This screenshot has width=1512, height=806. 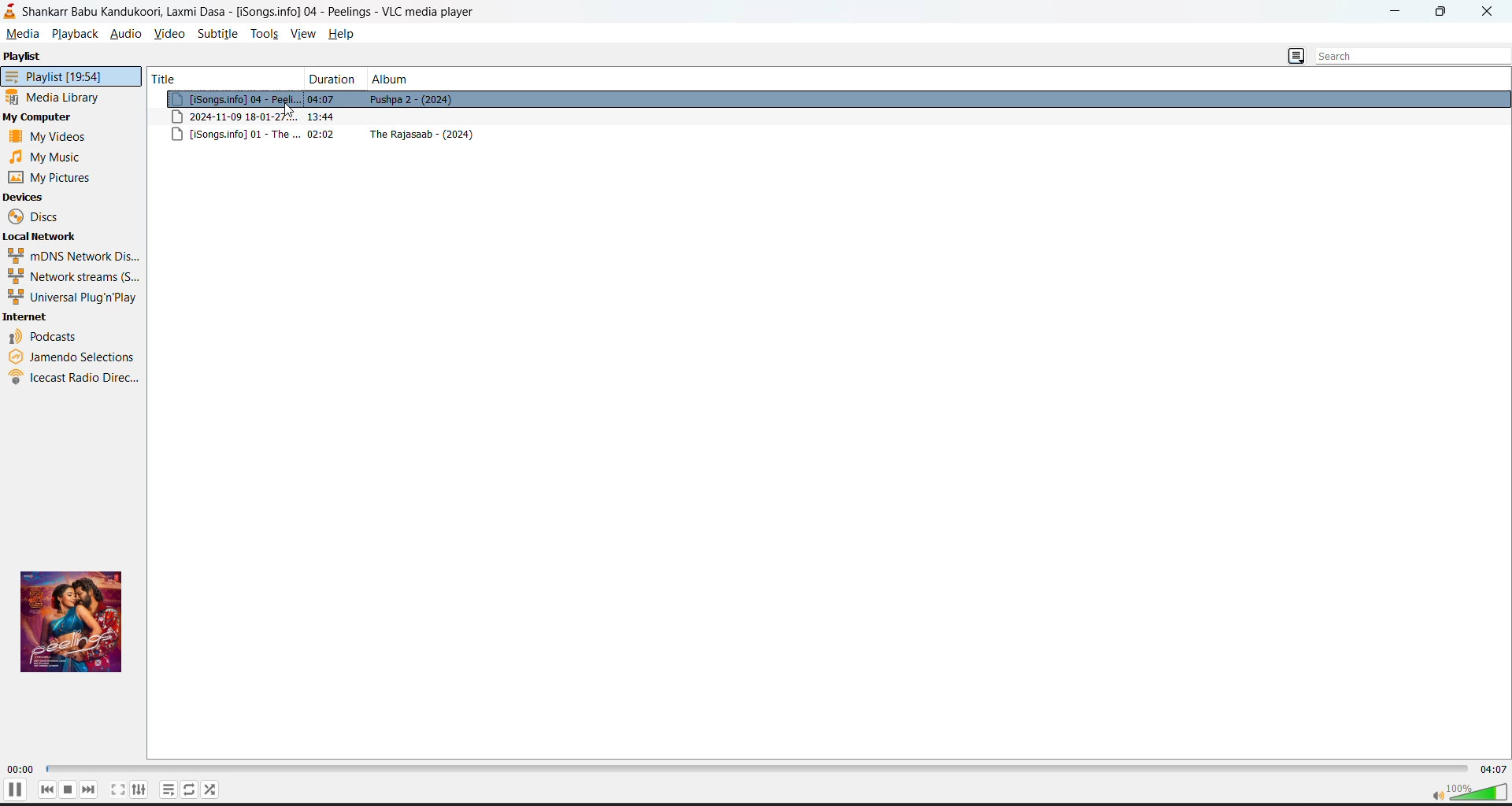 What do you see at coordinates (71, 296) in the screenshot?
I see `universal plug n play` at bounding box center [71, 296].